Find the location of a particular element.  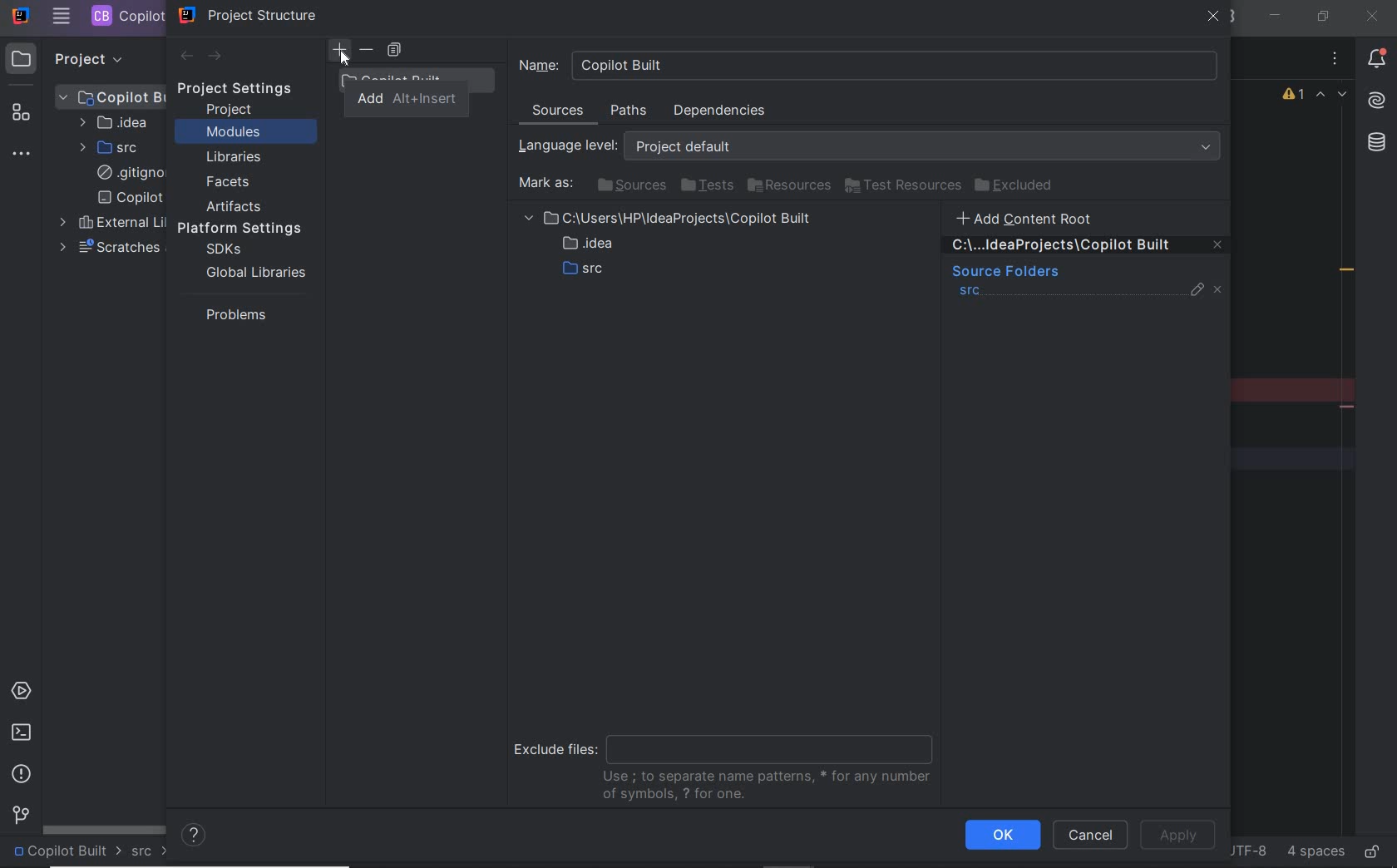

services is located at coordinates (23, 693).